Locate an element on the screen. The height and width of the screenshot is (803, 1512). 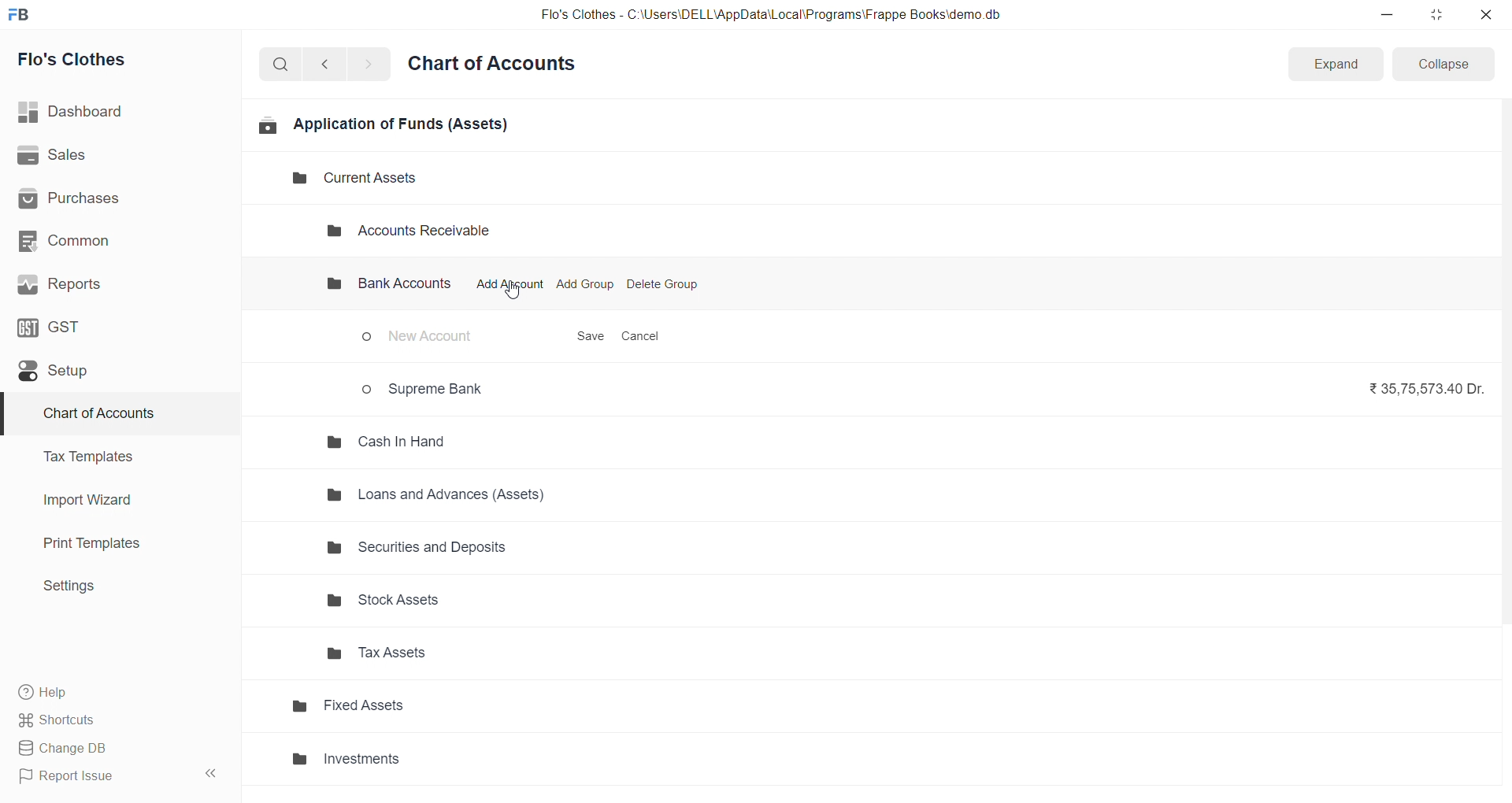
Investments is located at coordinates (433, 760).